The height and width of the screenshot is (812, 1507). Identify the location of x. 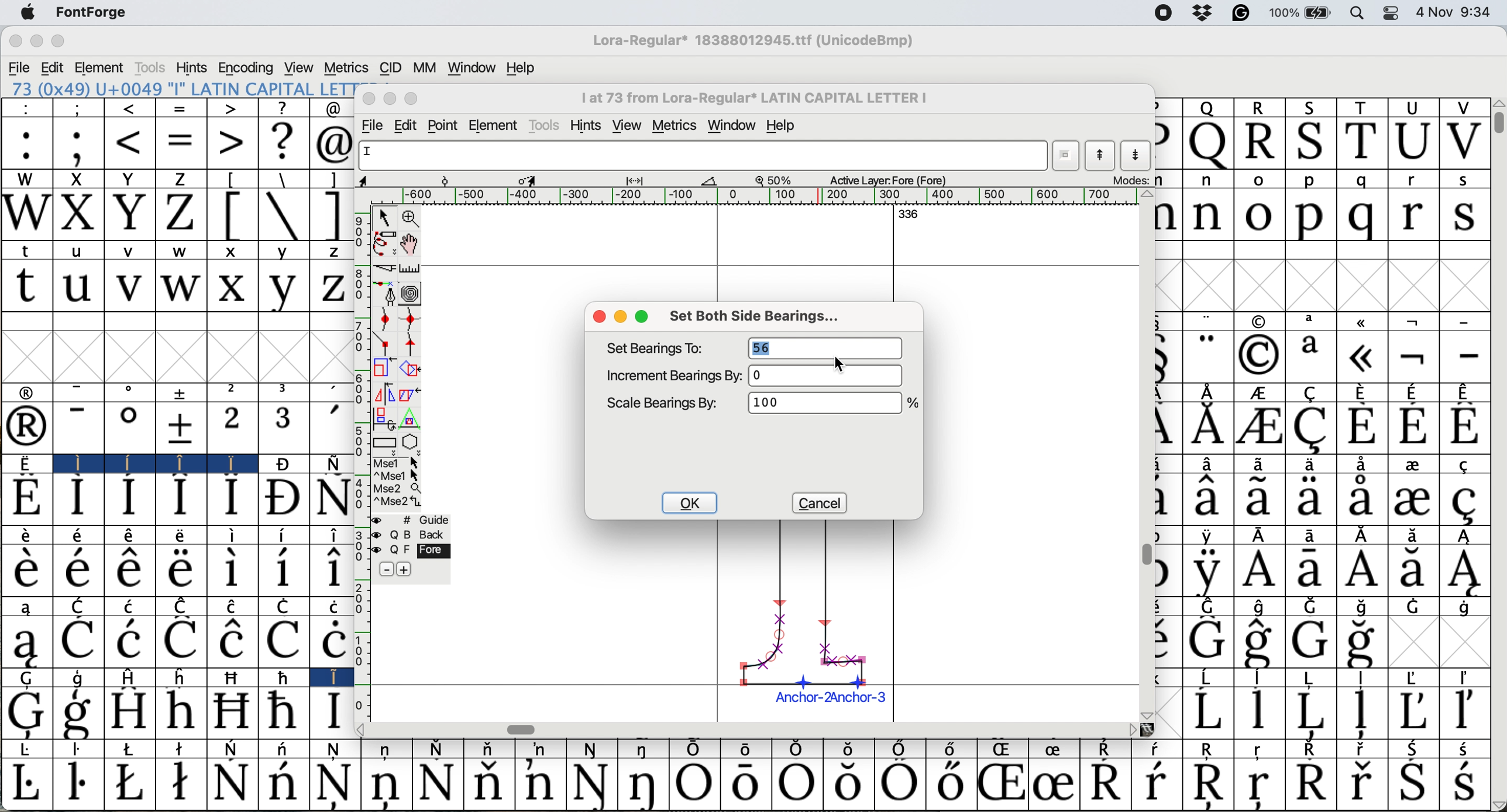
(234, 250).